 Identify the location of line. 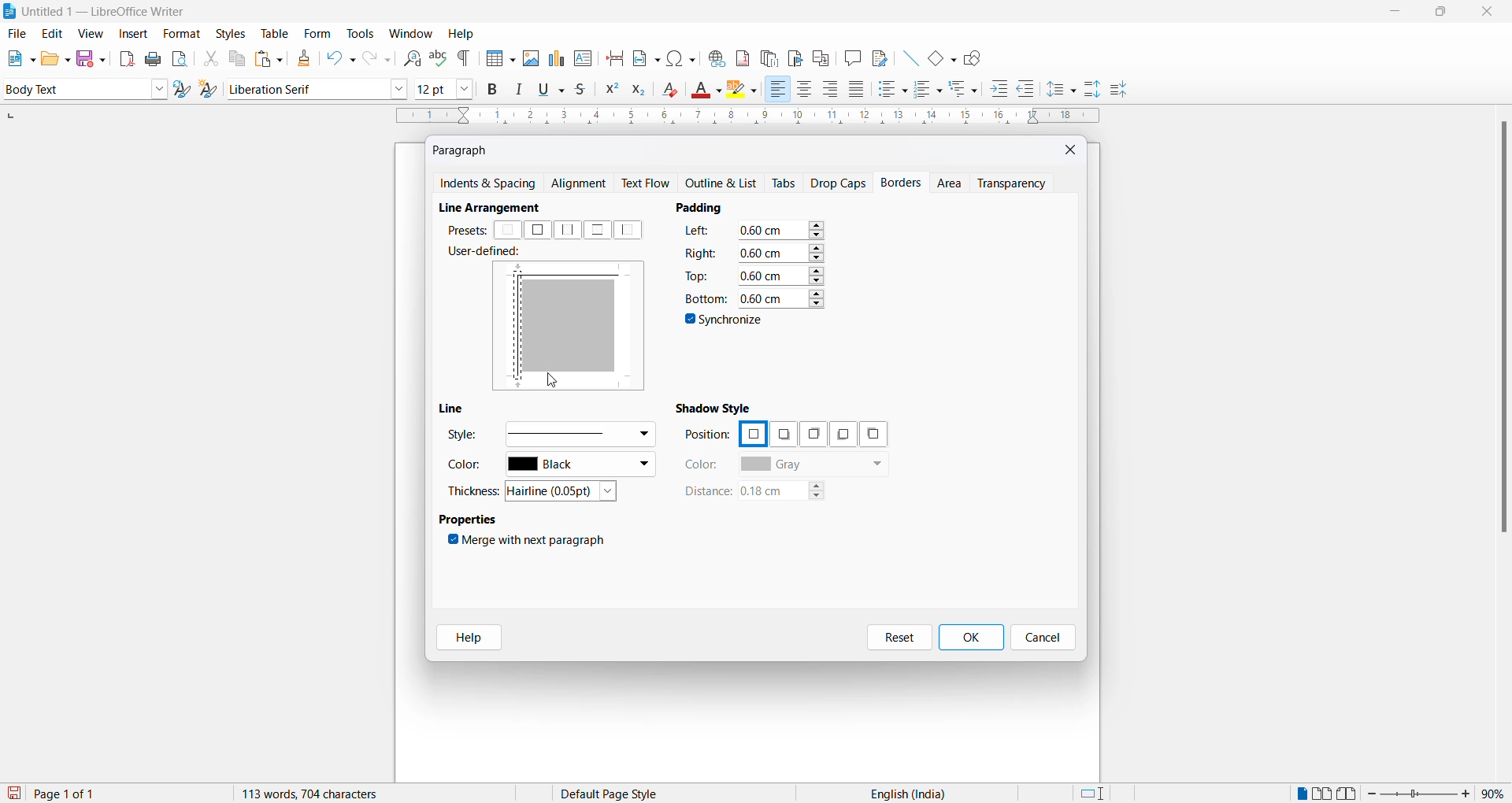
(456, 409).